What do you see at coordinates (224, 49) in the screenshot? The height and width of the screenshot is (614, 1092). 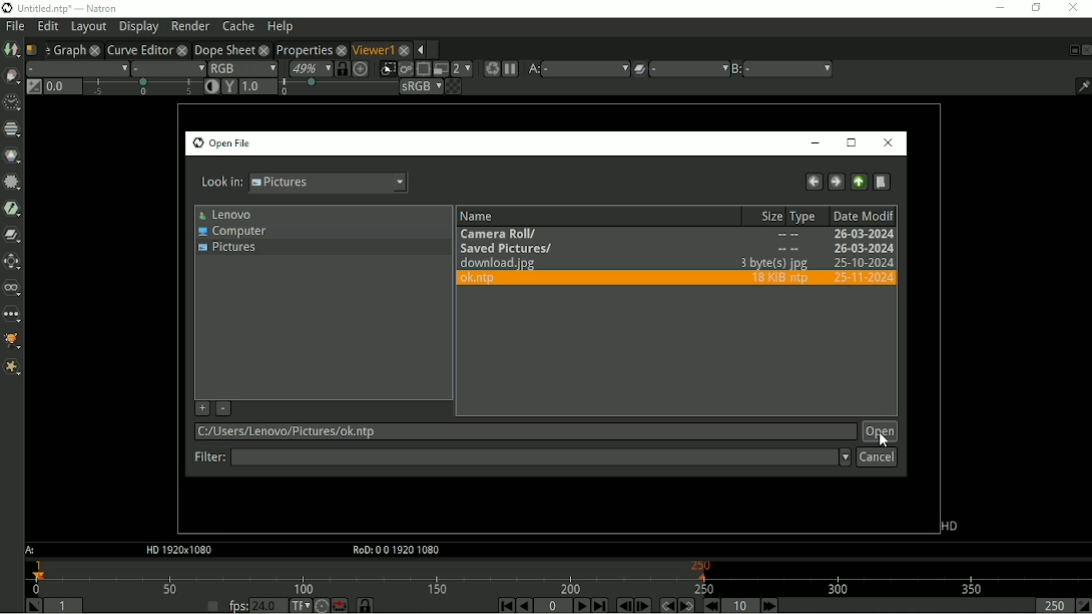 I see `Dope Sheet` at bounding box center [224, 49].